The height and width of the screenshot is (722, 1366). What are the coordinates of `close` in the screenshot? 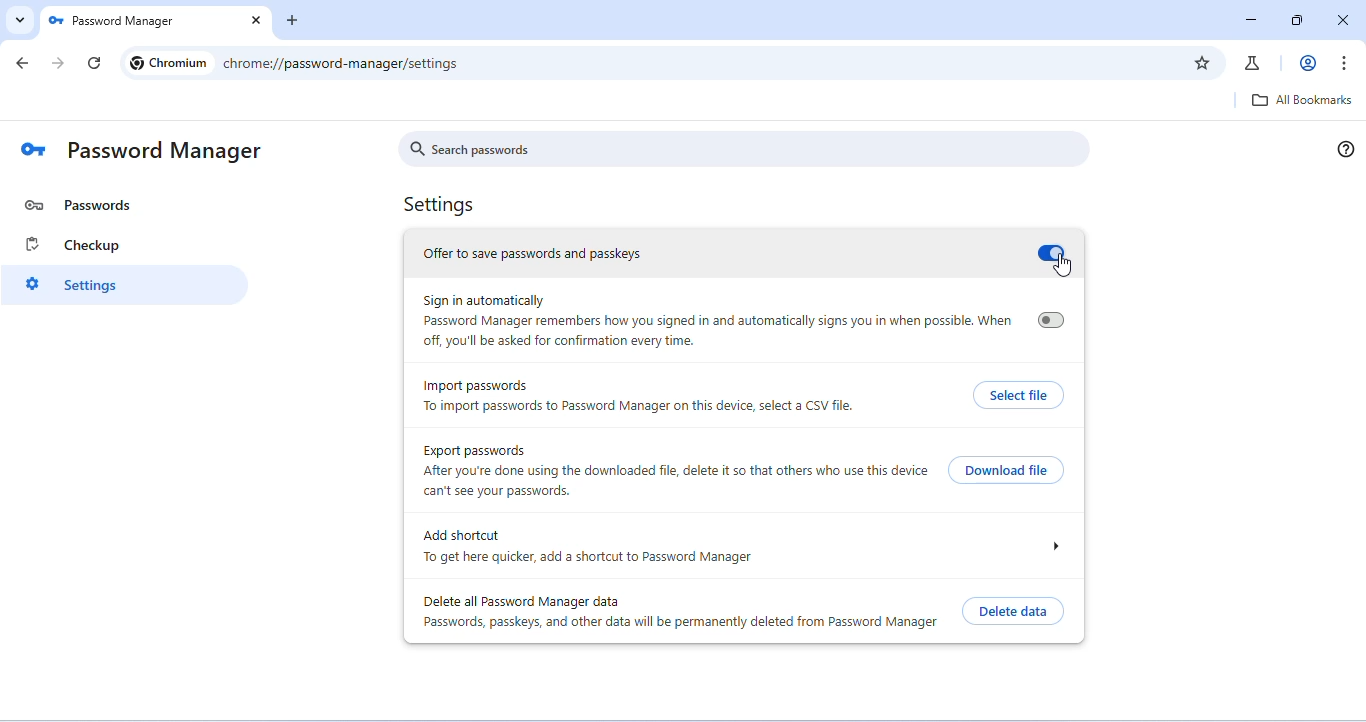 It's located at (1346, 21).